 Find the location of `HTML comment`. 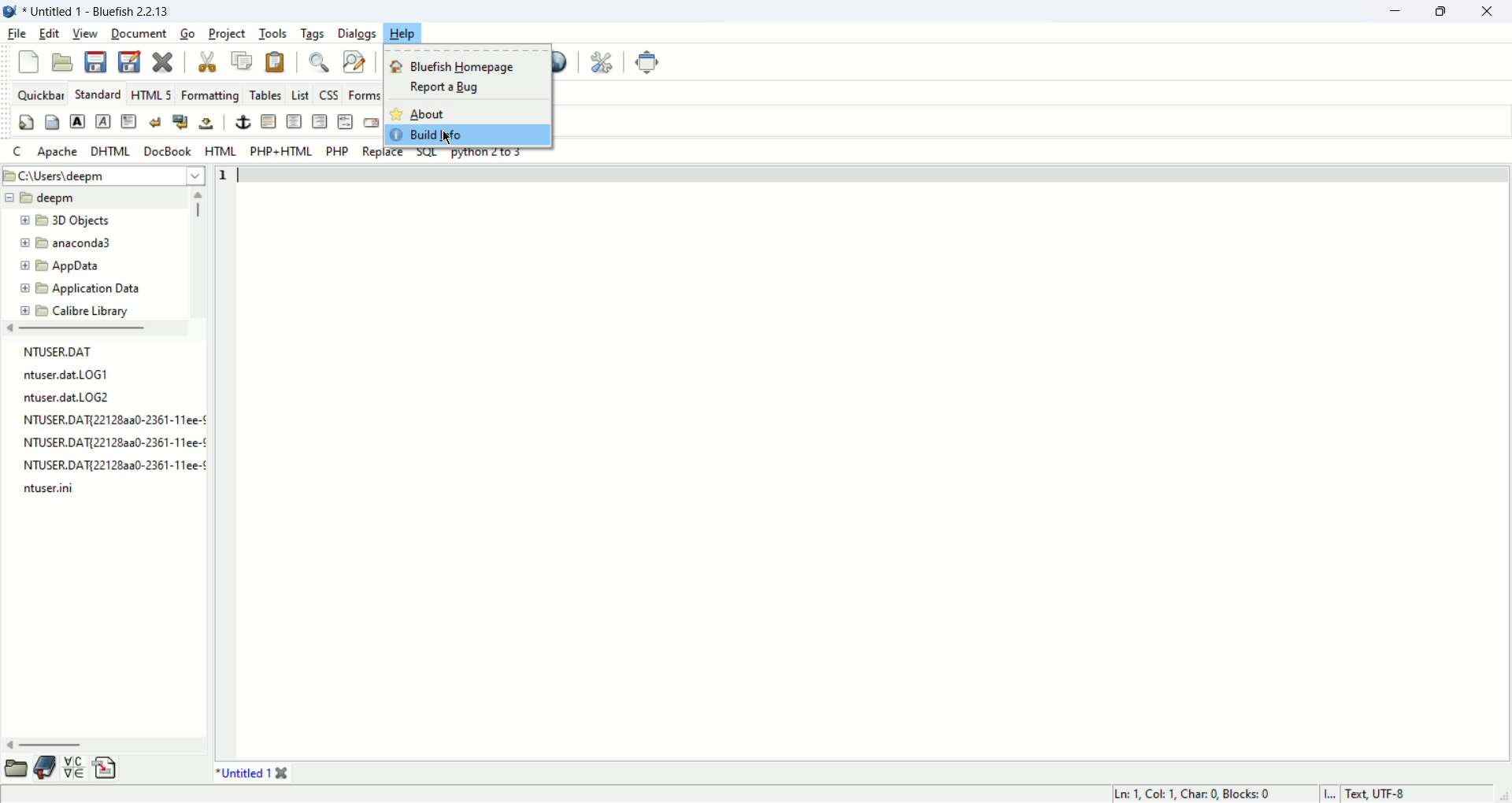

HTML comment is located at coordinates (345, 121).